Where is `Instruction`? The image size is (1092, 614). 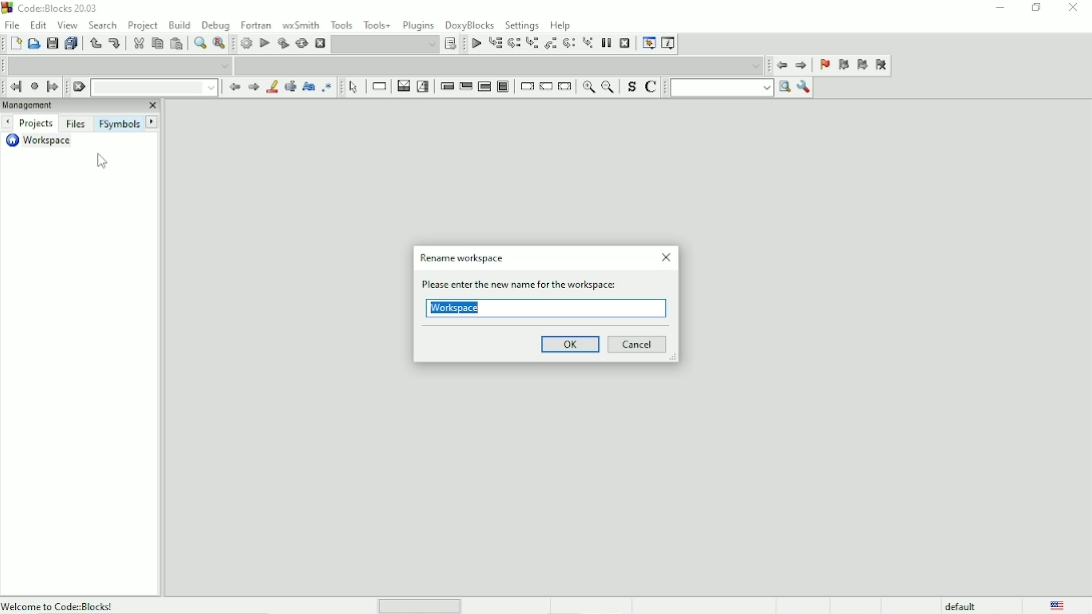 Instruction is located at coordinates (377, 87).